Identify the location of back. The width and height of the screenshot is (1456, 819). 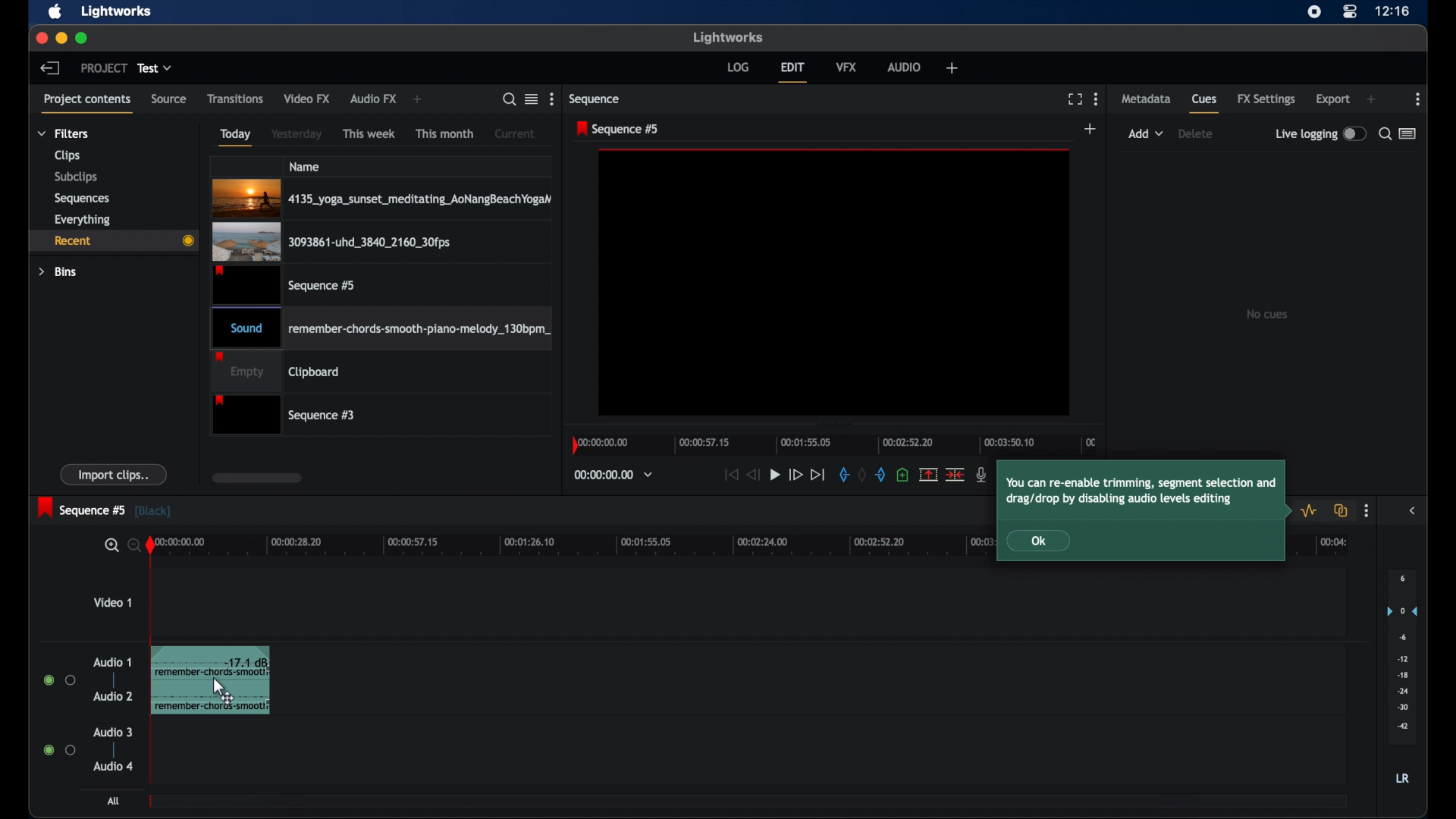
(50, 67).